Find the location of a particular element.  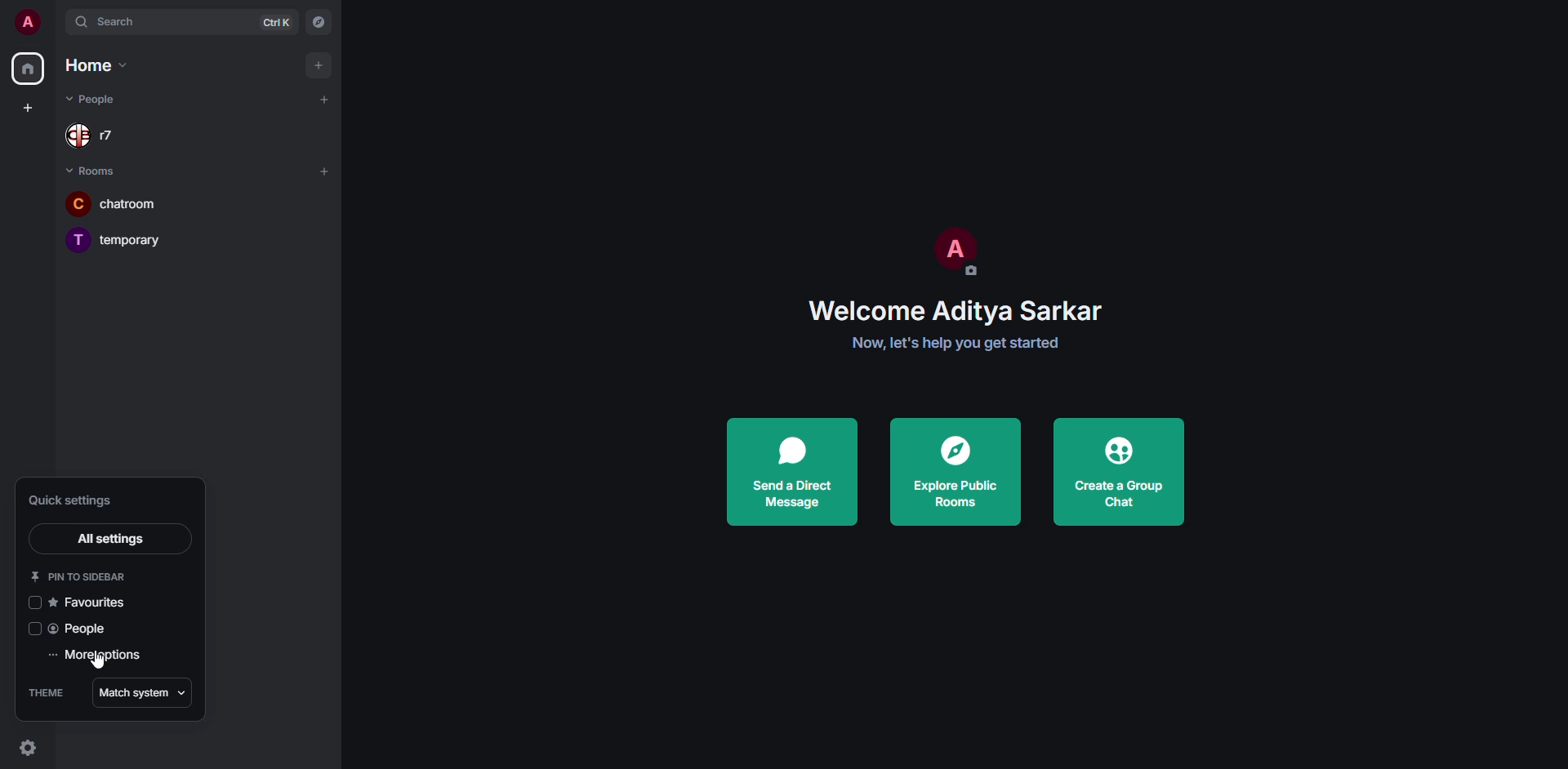

ctrl K is located at coordinates (275, 23).